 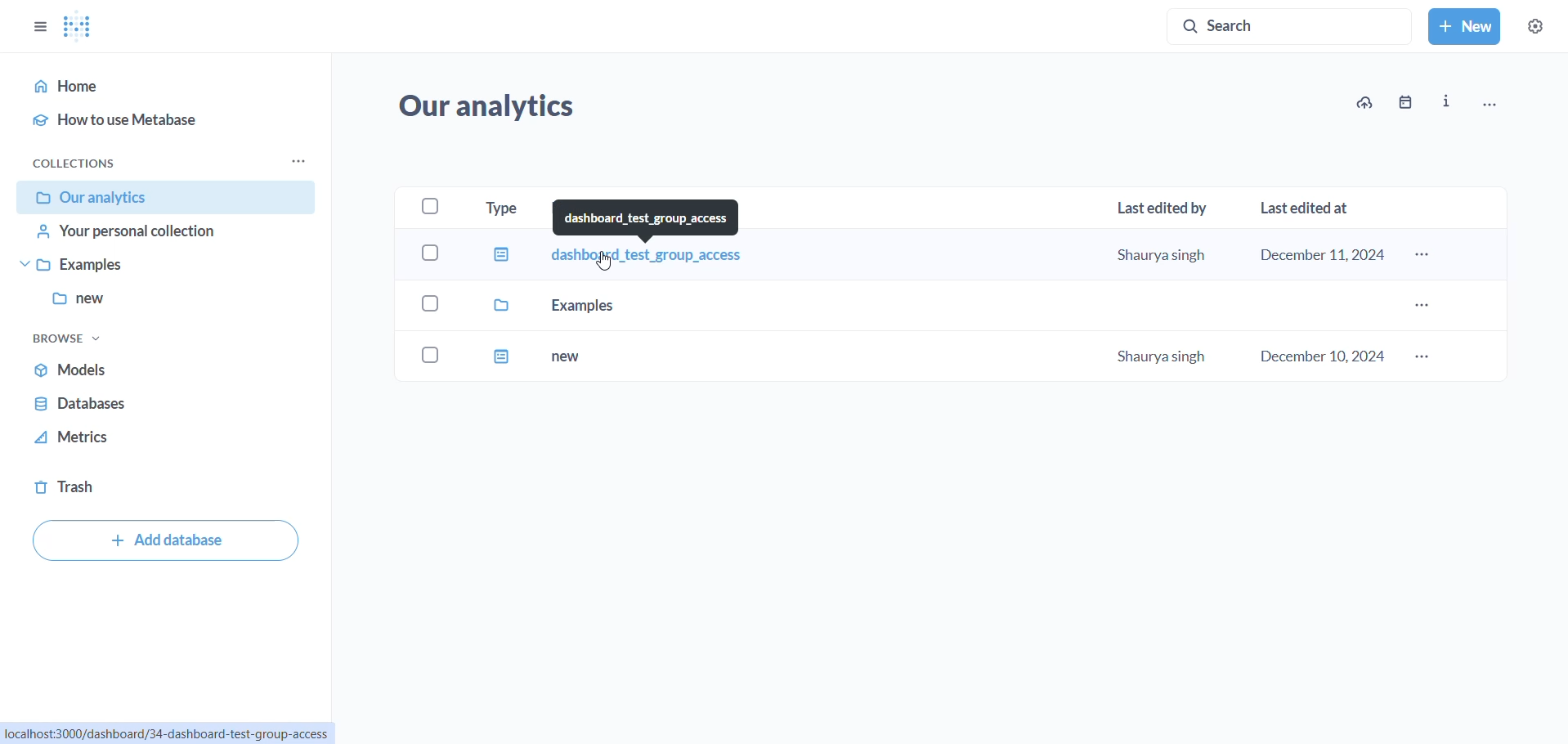 I want to click on info, so click(x=1450, y=104).